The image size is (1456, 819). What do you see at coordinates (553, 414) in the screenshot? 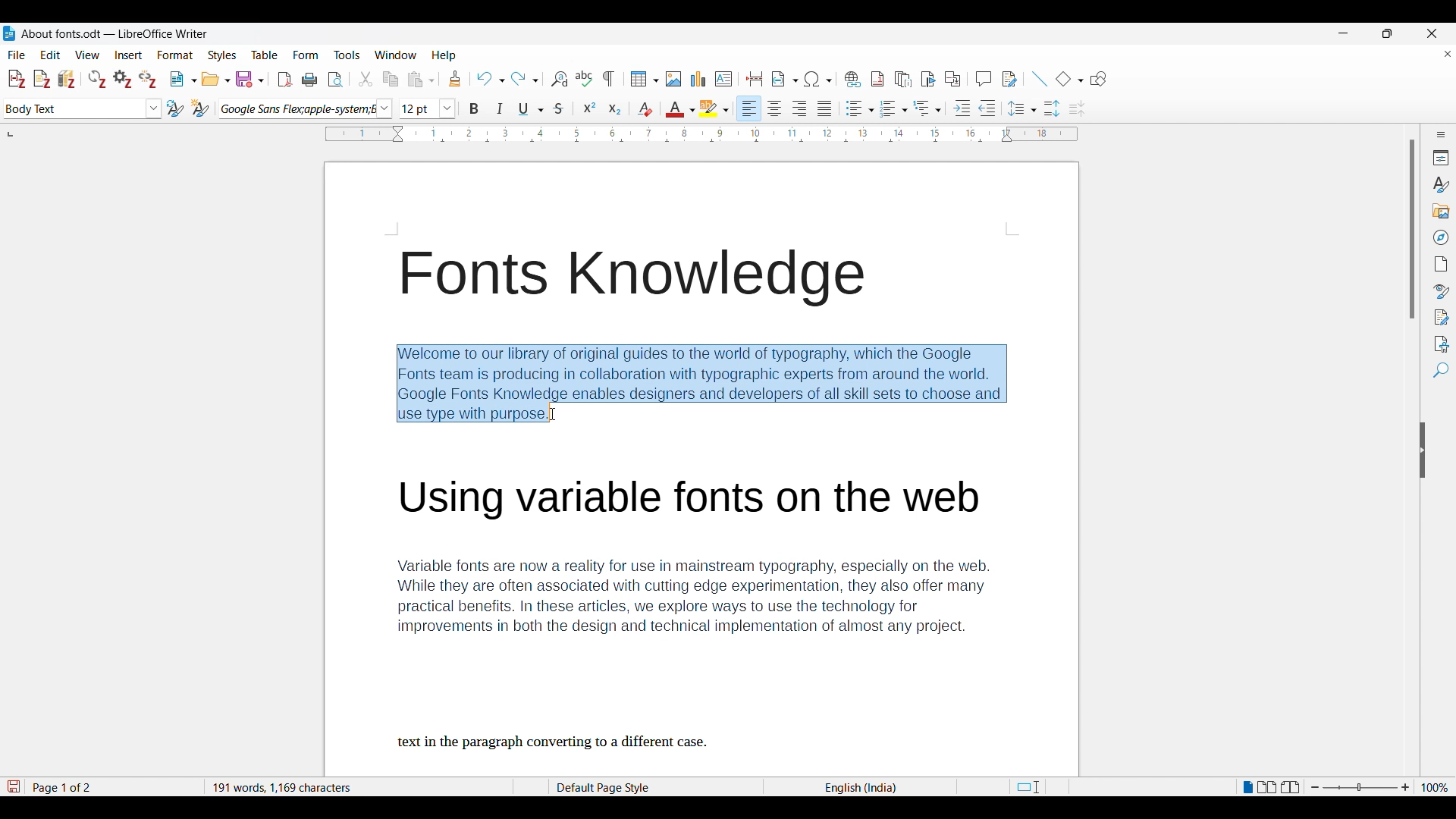
I see `Cursor position unchanged after making selection` at bounding box center [553, 414].